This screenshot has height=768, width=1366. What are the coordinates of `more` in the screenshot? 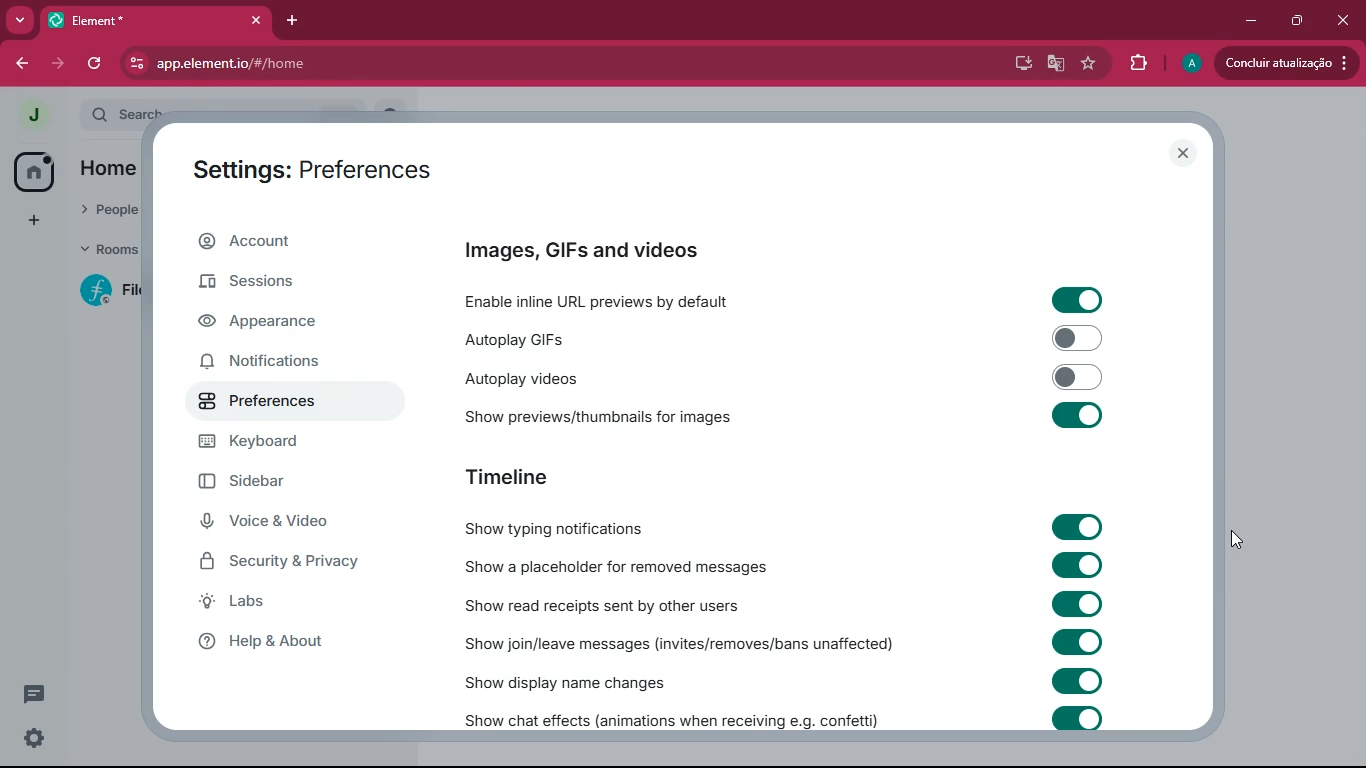 It's located at (20, 21).